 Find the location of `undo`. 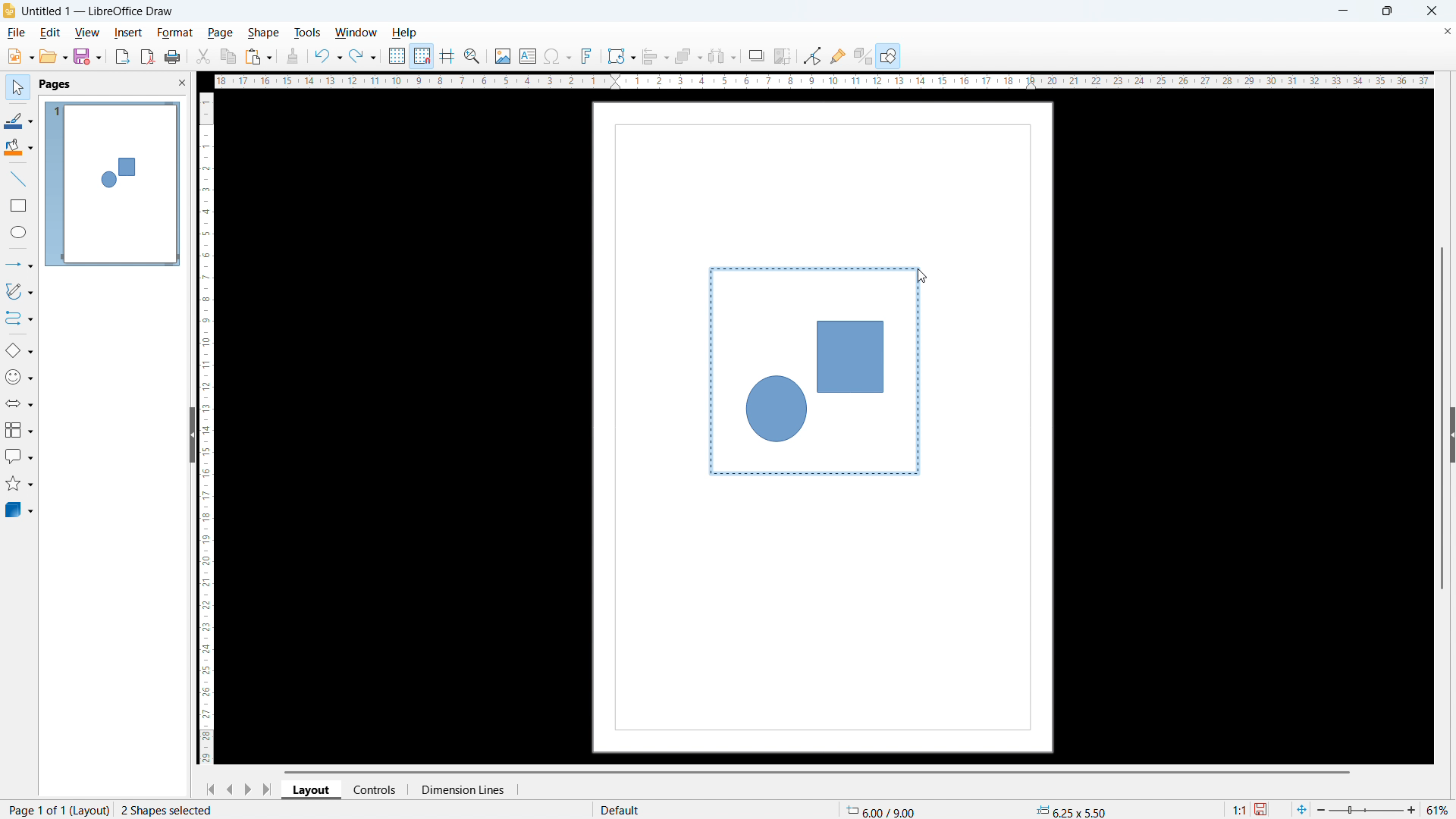

undo is located at coordinates (328, 57).